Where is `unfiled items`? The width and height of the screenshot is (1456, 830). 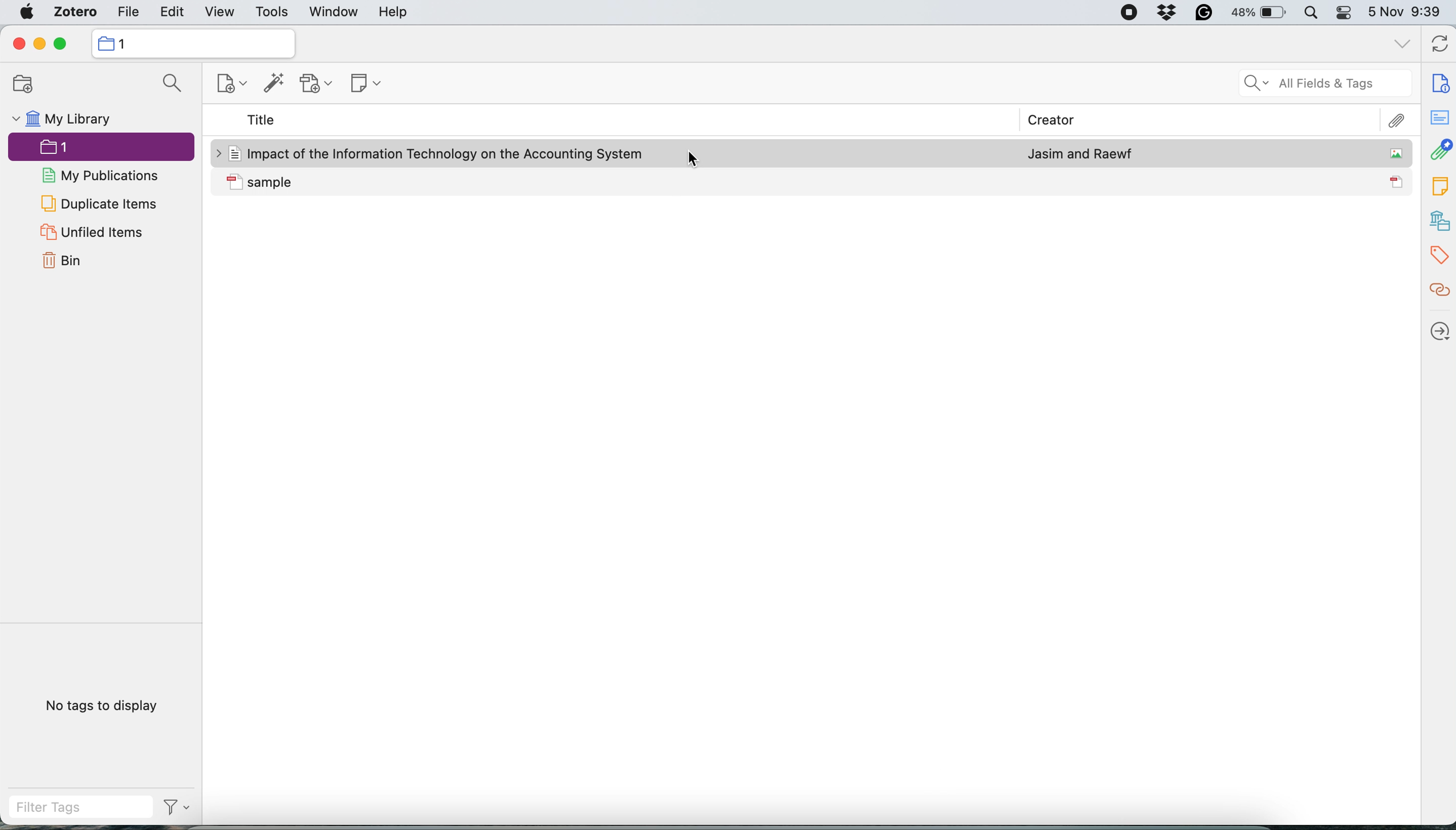
unfiled items is located at coordinates (100, 233).